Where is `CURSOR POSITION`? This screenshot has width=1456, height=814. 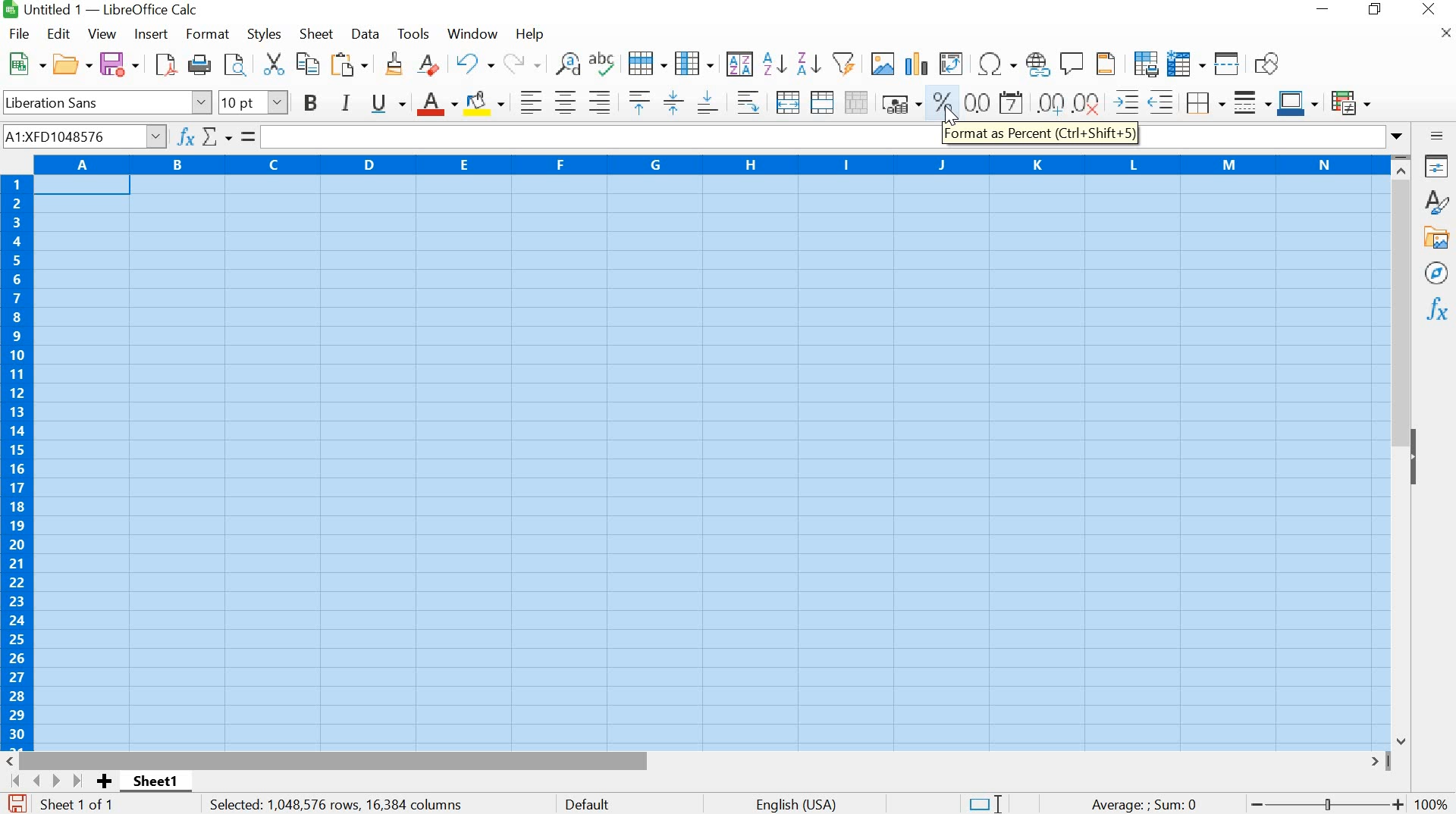
CURSOR POSITION is located at coordinates (950, 116).